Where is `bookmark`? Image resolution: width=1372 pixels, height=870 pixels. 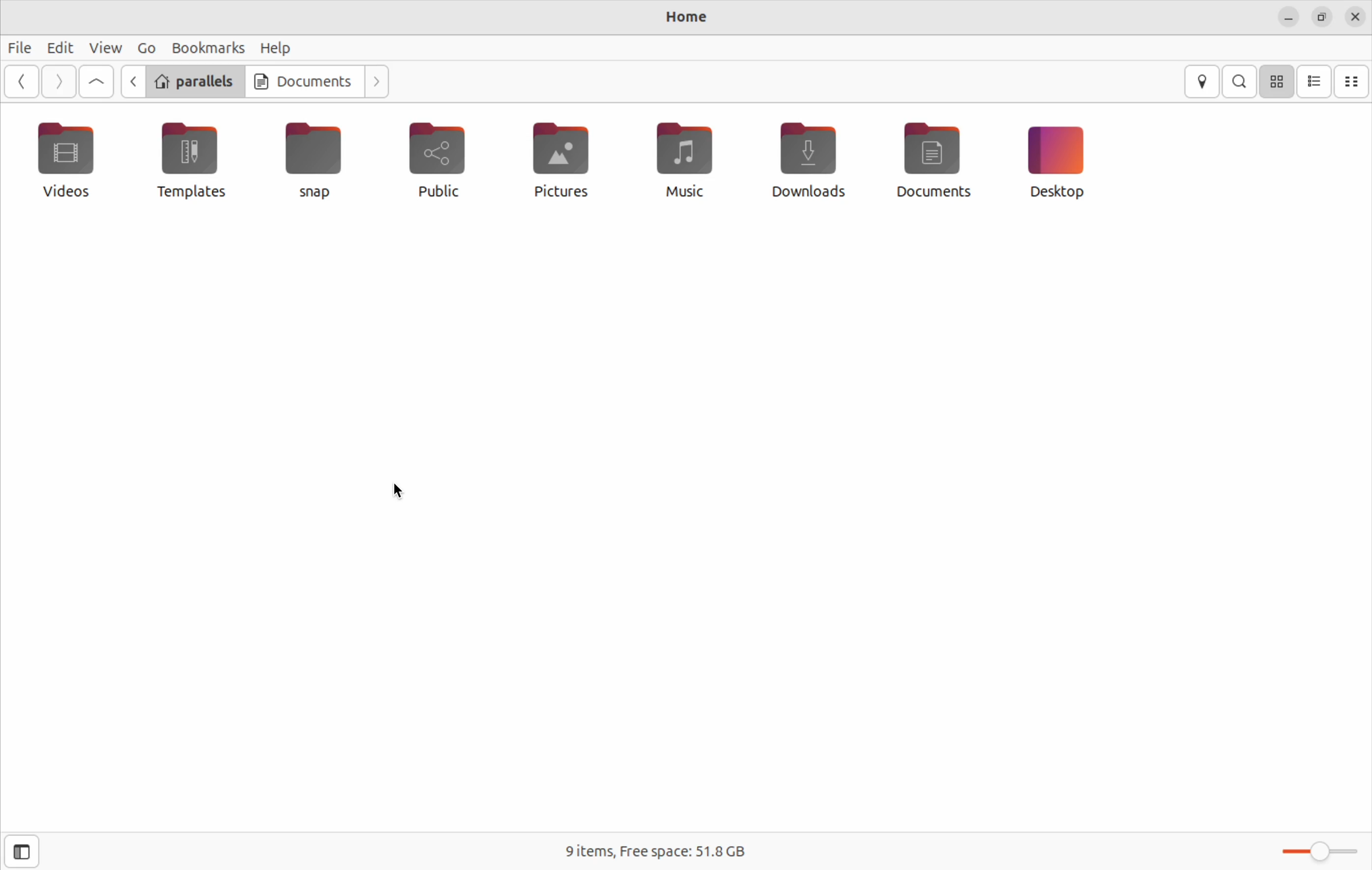 bookmark is located at coordinates (206, 47).